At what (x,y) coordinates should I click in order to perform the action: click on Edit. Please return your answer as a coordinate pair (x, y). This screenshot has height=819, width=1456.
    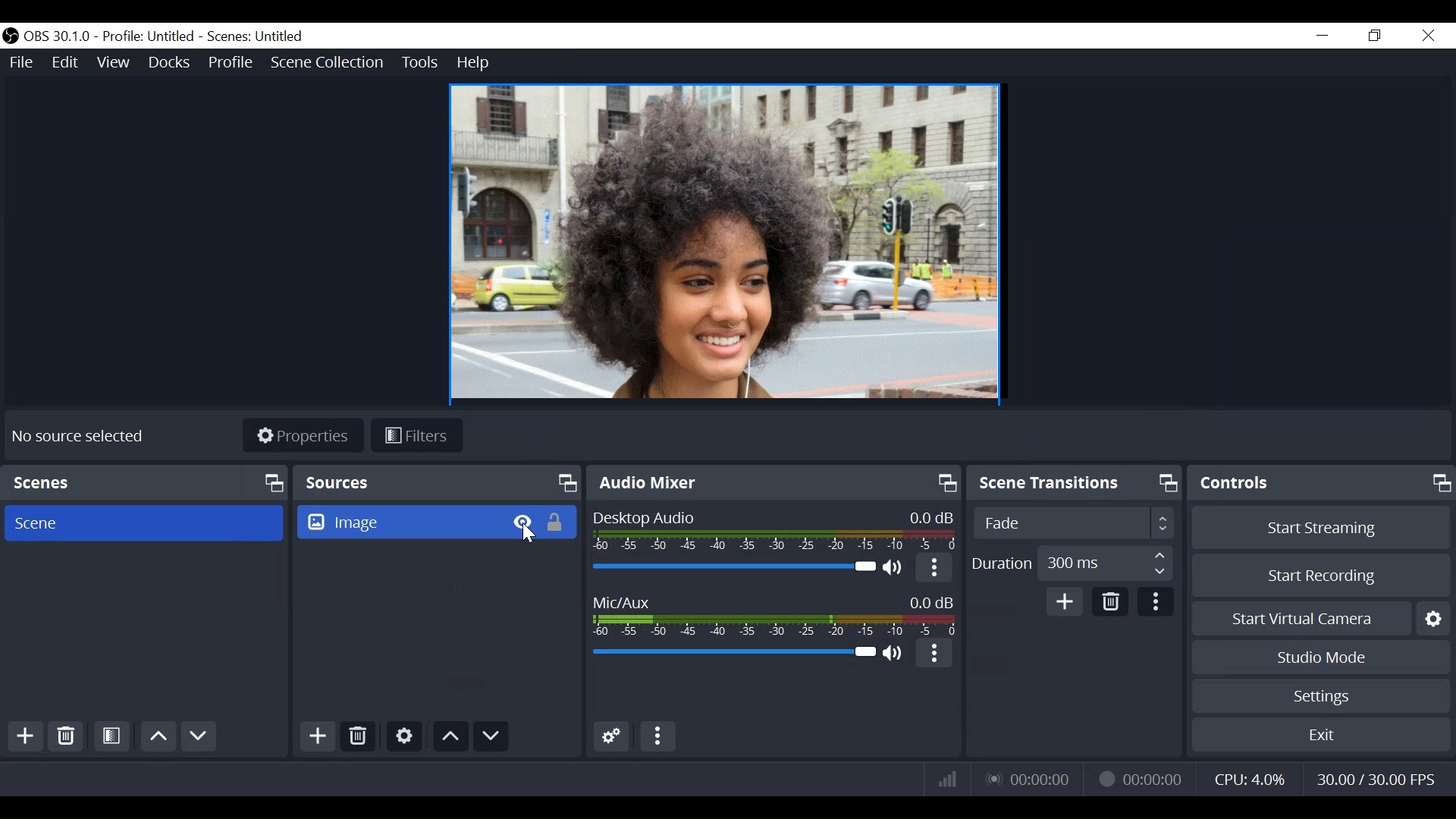
    Looking at the image, I should click on (64, 61).